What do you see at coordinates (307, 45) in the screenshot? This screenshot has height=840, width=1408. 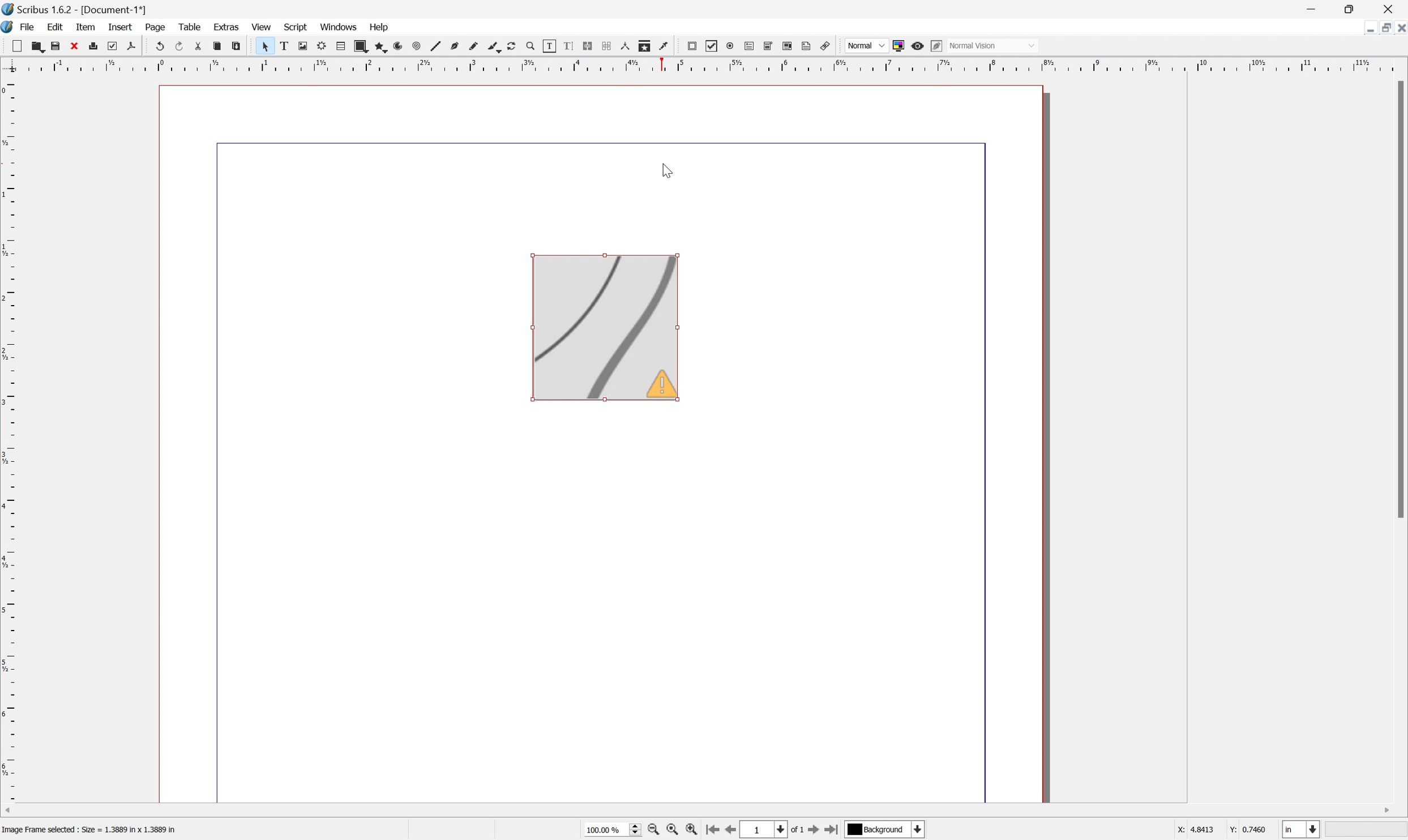 I see `Image frame` at bounding box center [307, 45].